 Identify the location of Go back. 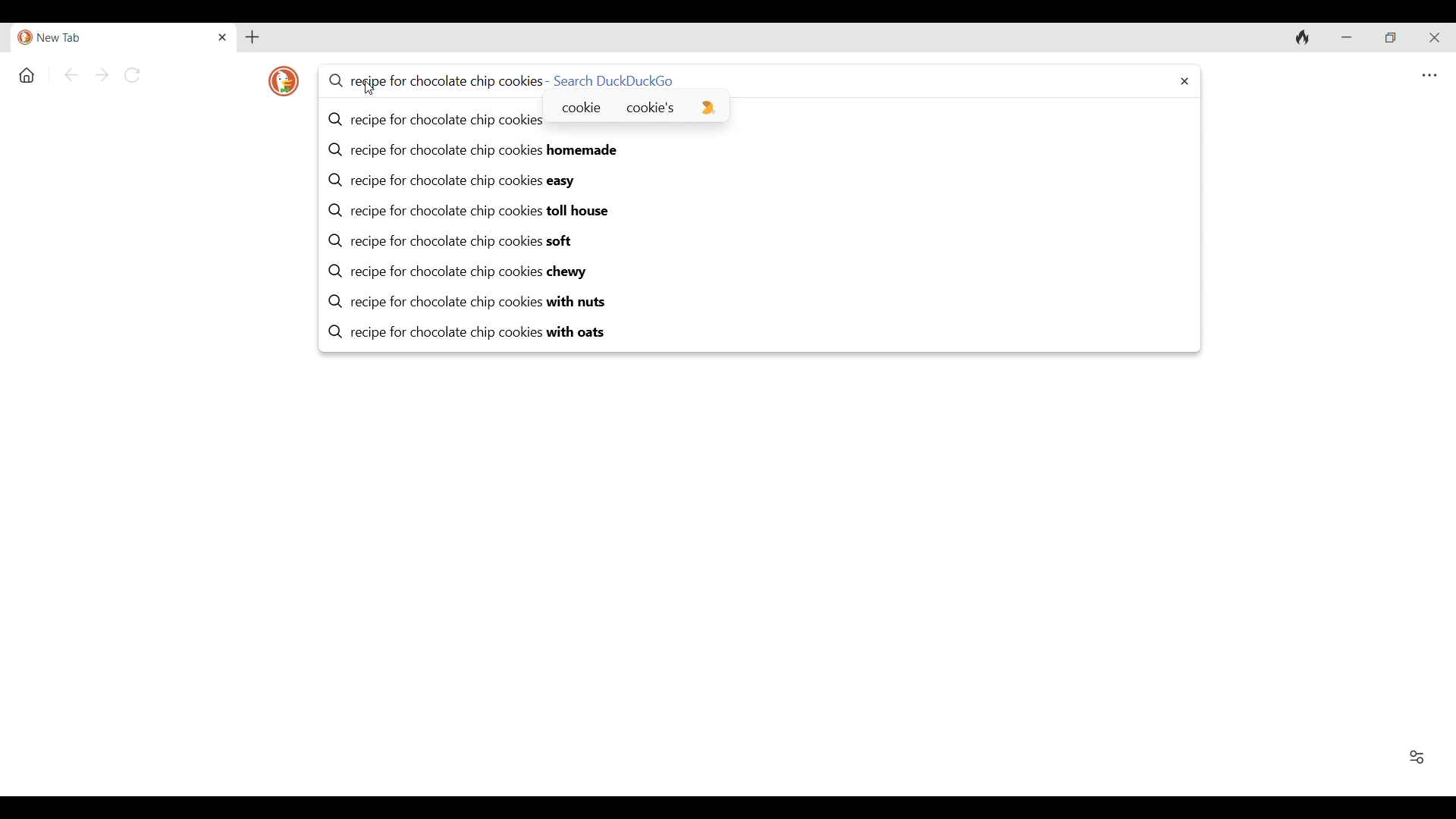
(71, 75).